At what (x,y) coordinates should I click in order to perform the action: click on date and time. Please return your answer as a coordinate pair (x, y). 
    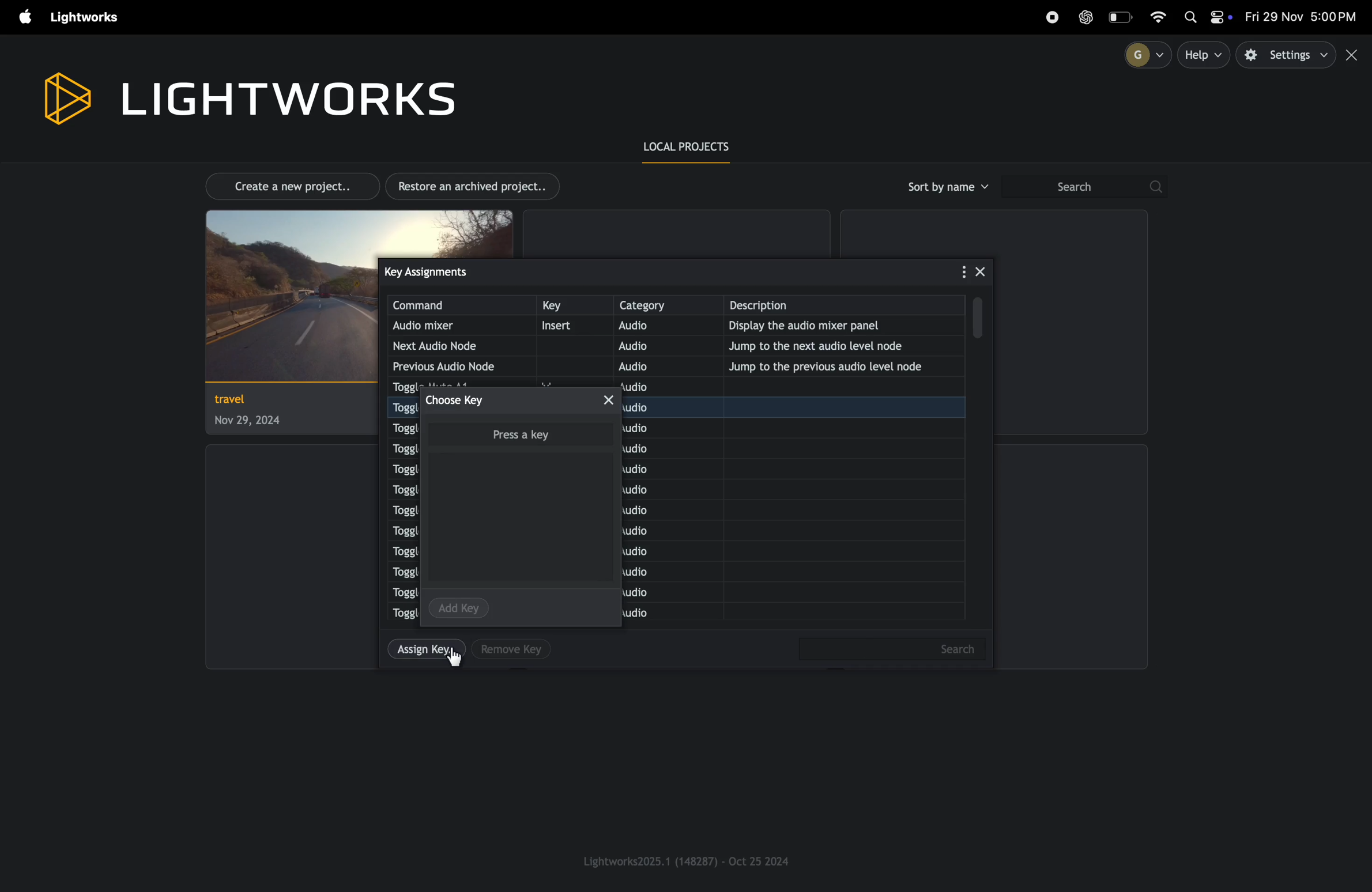
    Looking at the image, I should click on (1303, 17).